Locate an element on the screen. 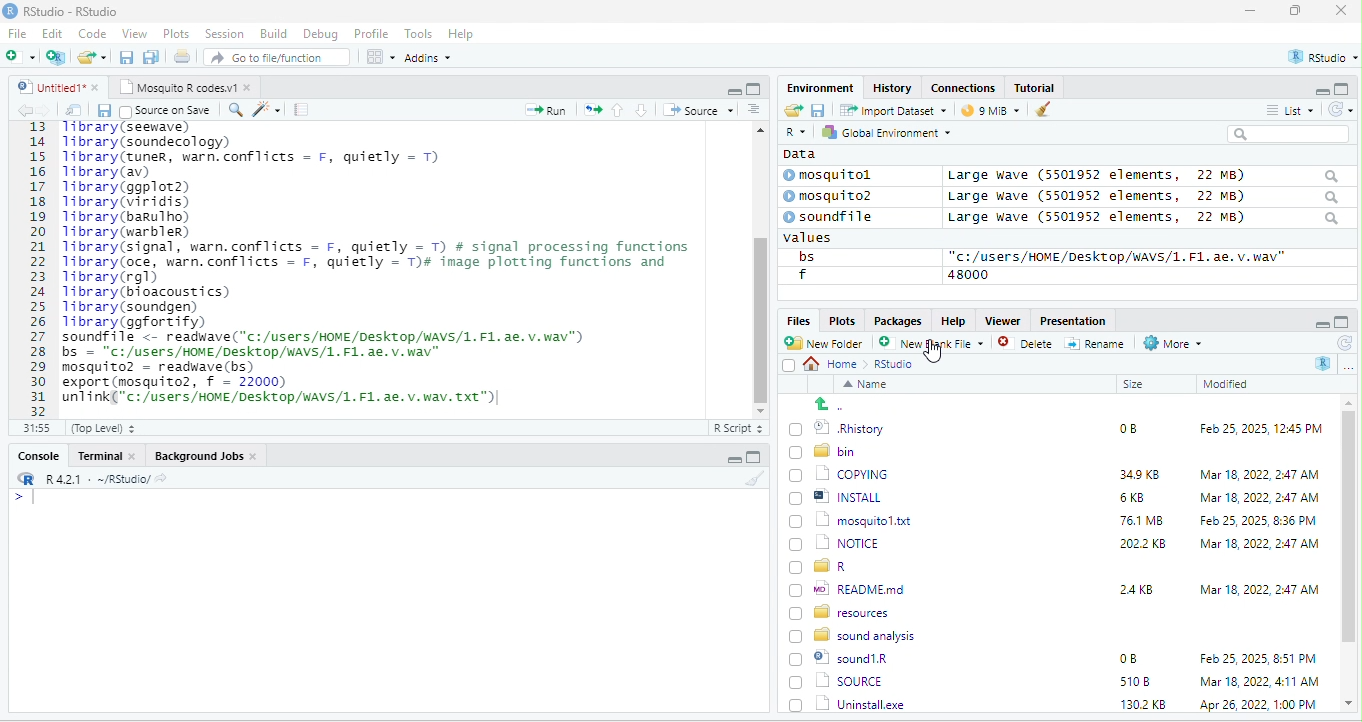 Image resolution: width=1362 pixels, height=722 pixels. maximize is located at coordinates (753, 457).